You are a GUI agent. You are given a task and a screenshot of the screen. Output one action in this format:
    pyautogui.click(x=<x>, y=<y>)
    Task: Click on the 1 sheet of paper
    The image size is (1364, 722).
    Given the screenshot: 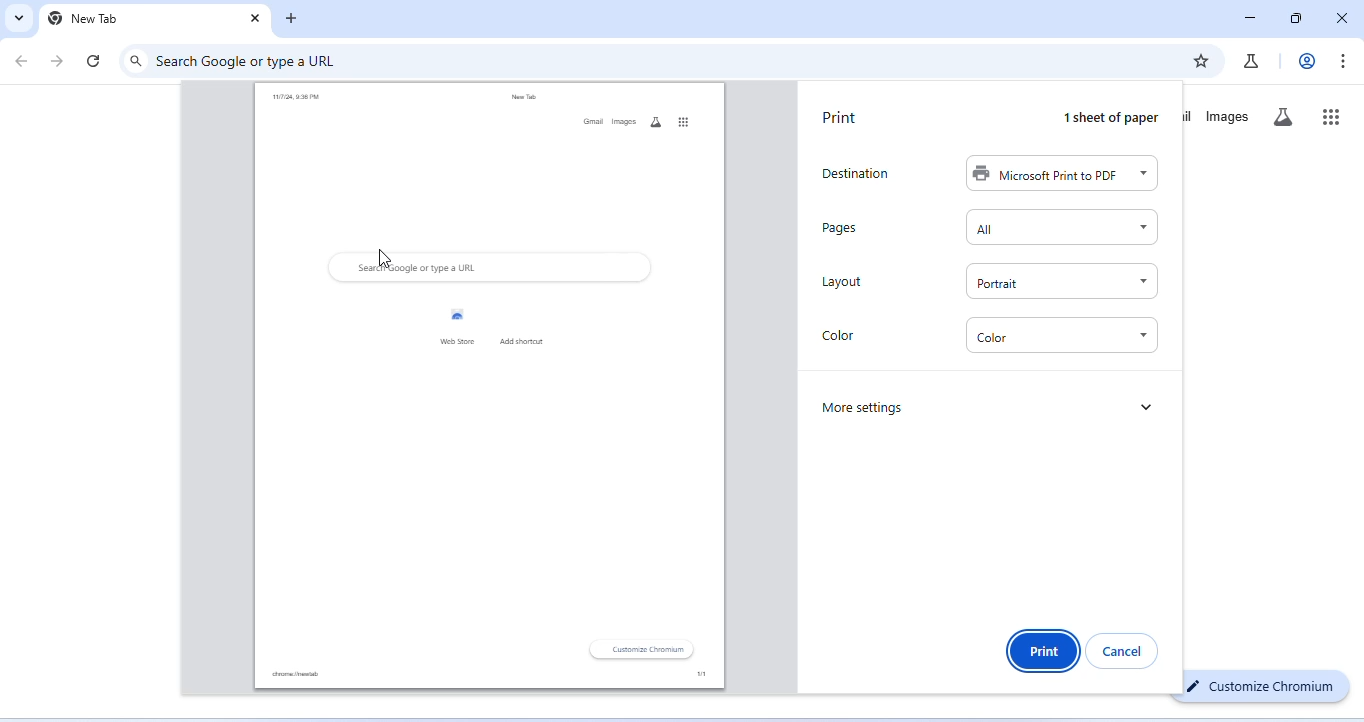 What is the action you would take?
    pyautogui.click(x=1113, y=118)
    